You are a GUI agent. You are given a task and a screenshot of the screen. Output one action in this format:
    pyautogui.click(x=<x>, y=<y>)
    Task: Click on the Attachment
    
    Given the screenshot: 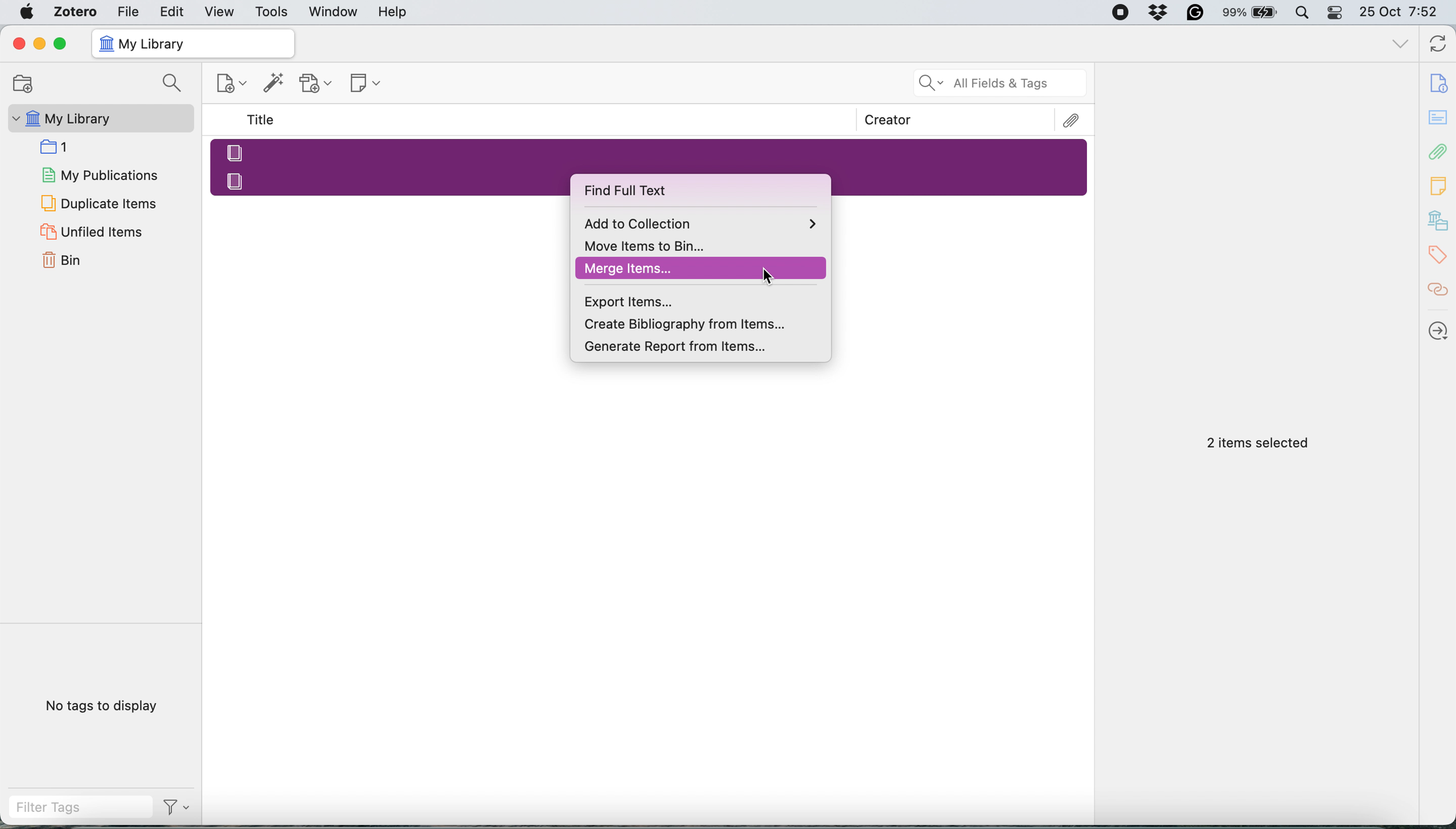 What is the action you would take?
    pyautogui.click(x=1439, y=151)
    